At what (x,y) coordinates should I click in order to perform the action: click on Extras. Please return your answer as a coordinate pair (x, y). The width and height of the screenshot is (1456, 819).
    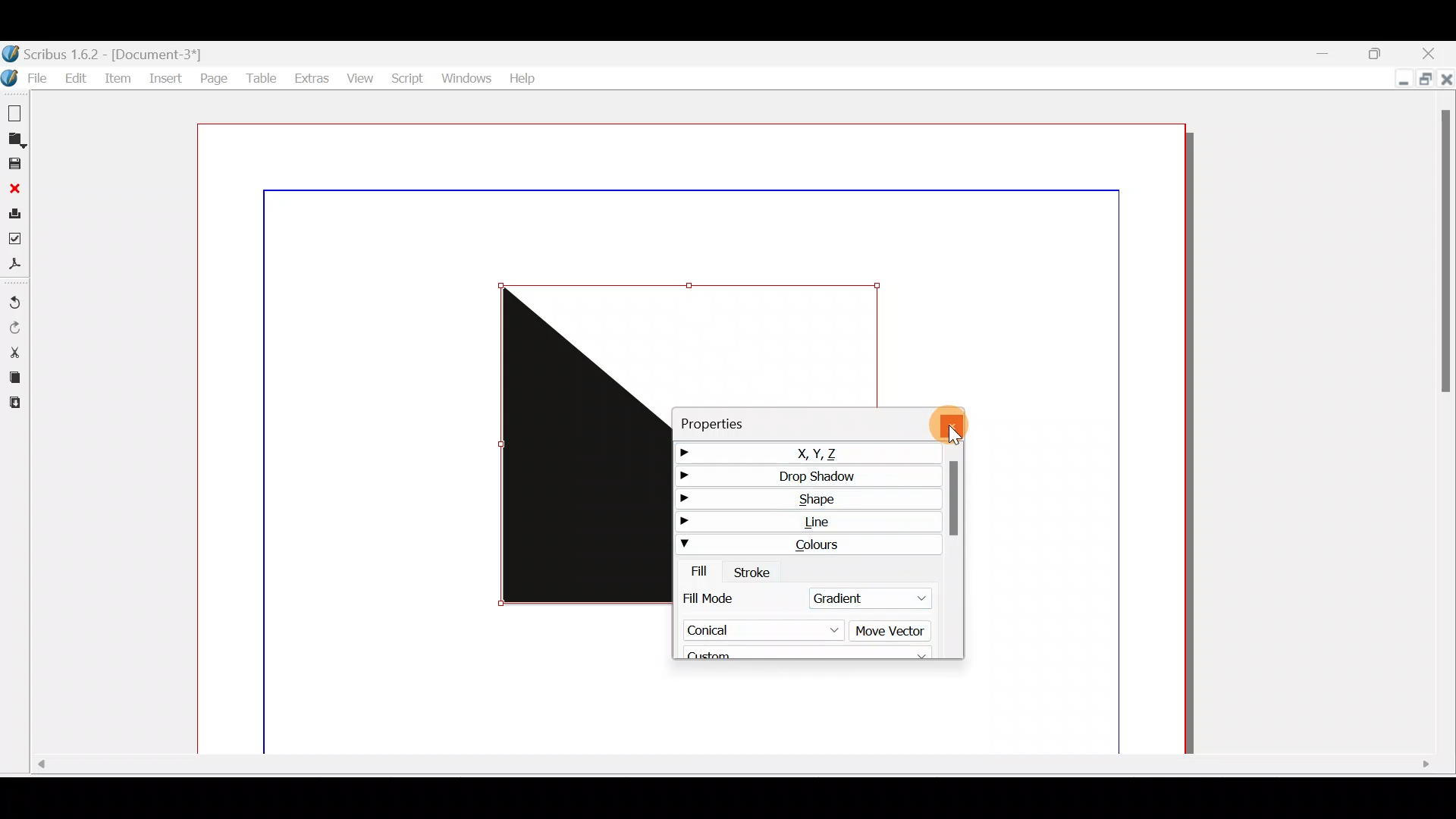
    Looking at the image, I should click on (308, 76).